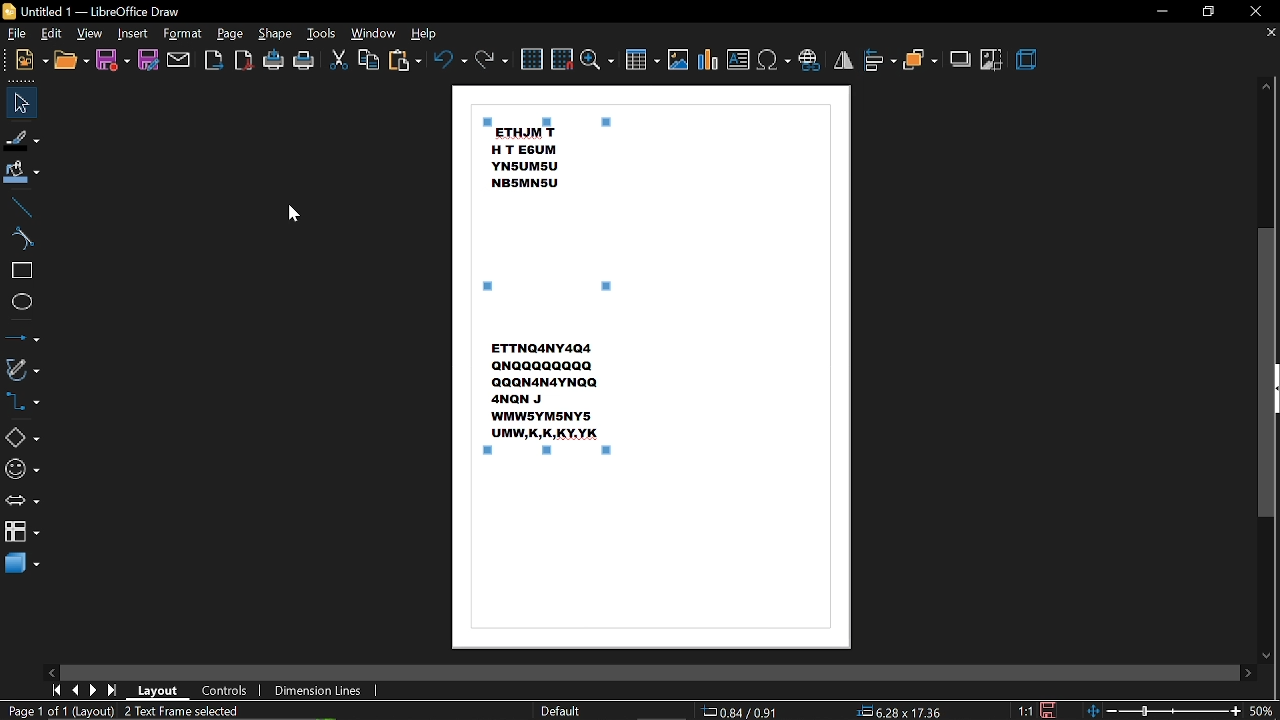  What do you see at coordinates (305, 61) in the screenshot?
I see `print` at bounding box center [305, 61].